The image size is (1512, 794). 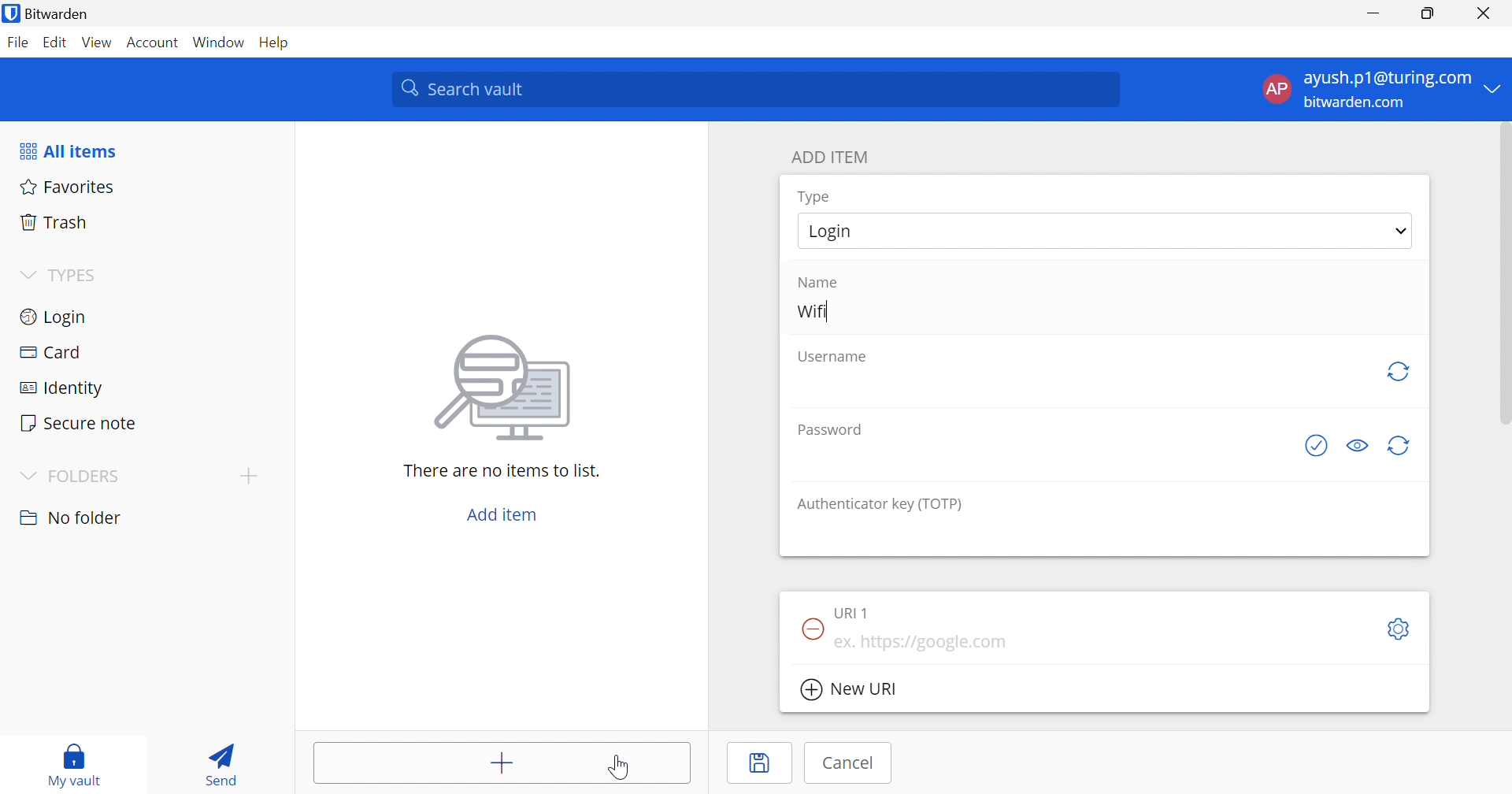 What do you see at coordinates (1321, 445) in the screenshot?
I see `Check if password has been exposed` at bounding box center [1321, 445].